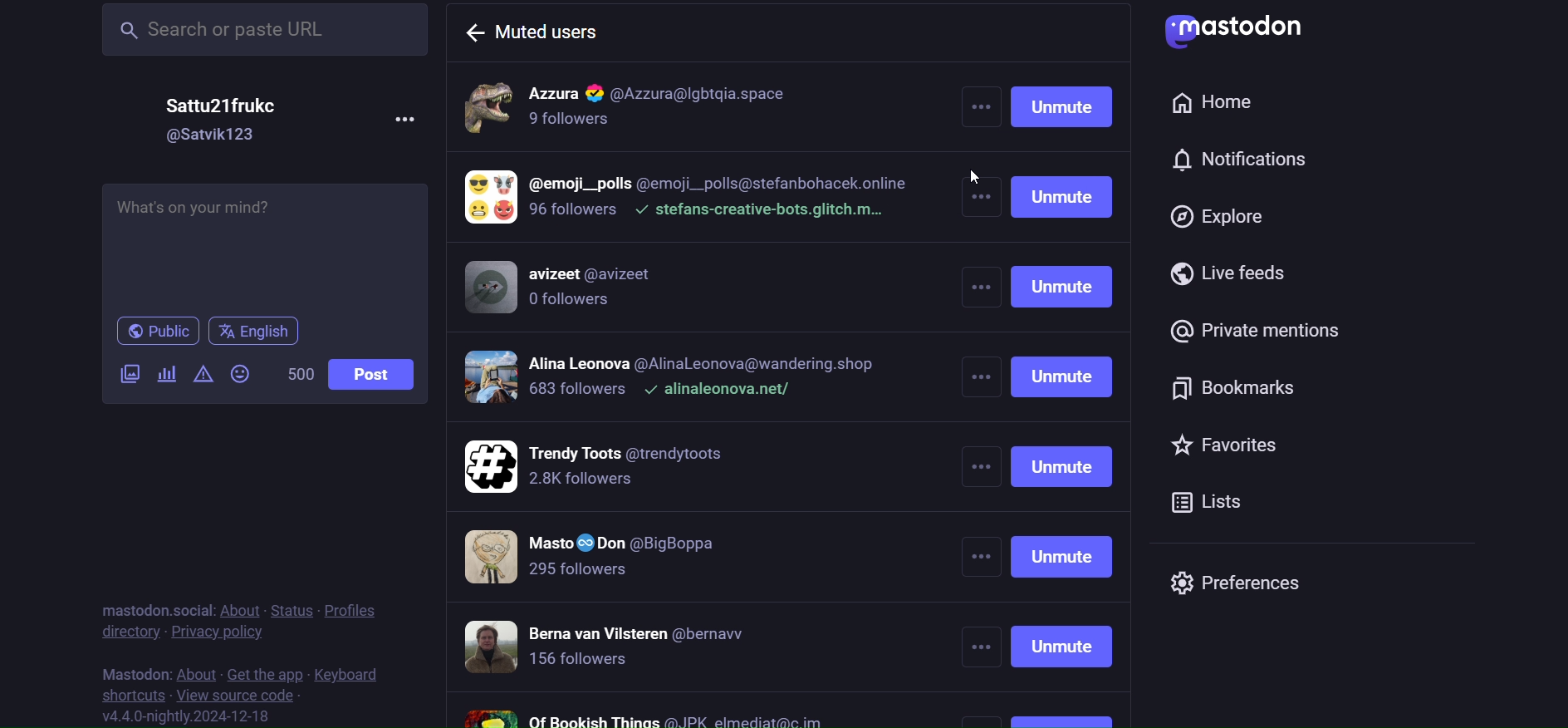  I want to click on muted accounts 5, so click(618, 470).